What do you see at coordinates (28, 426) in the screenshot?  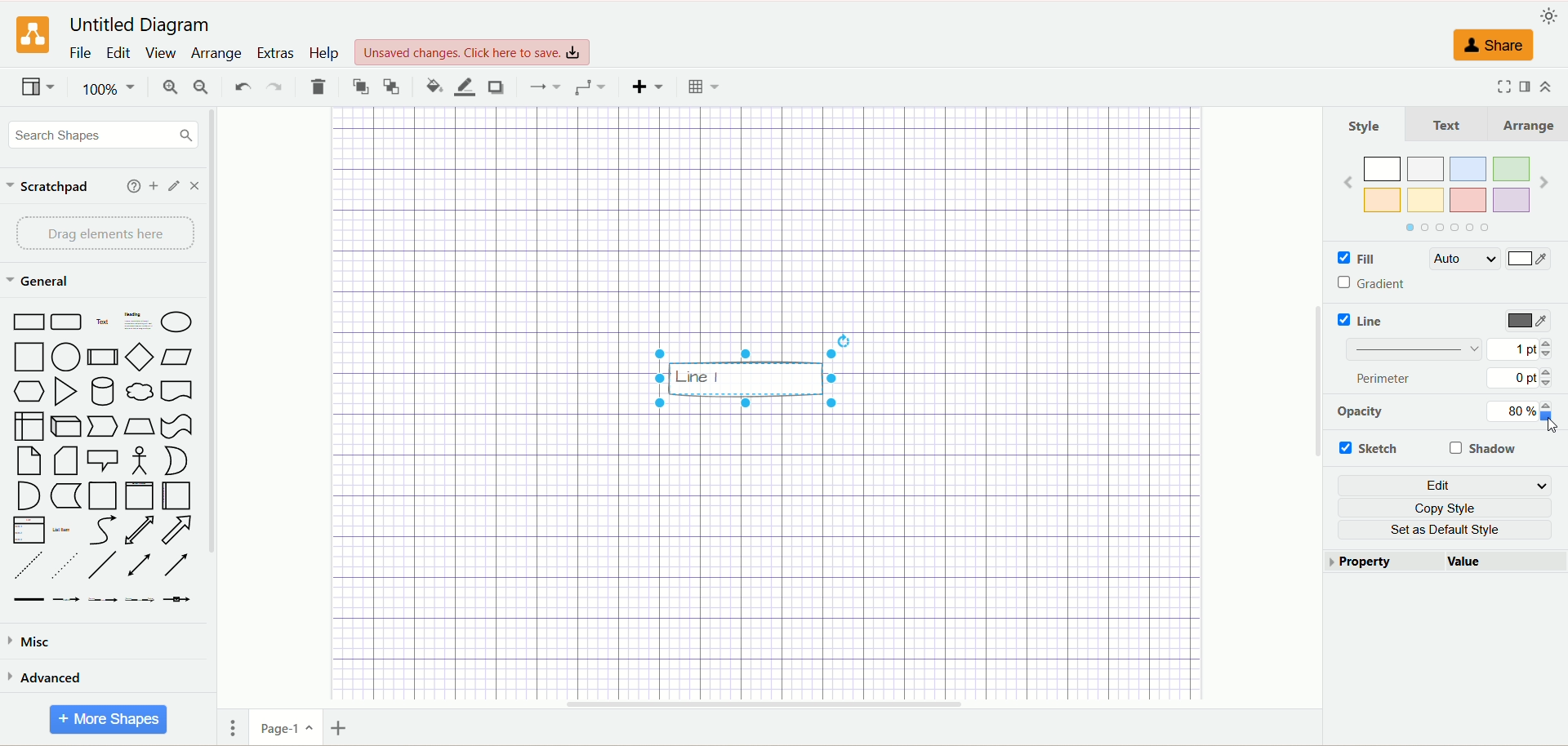 I see `Internal storage` at bounding box center [28, 426].